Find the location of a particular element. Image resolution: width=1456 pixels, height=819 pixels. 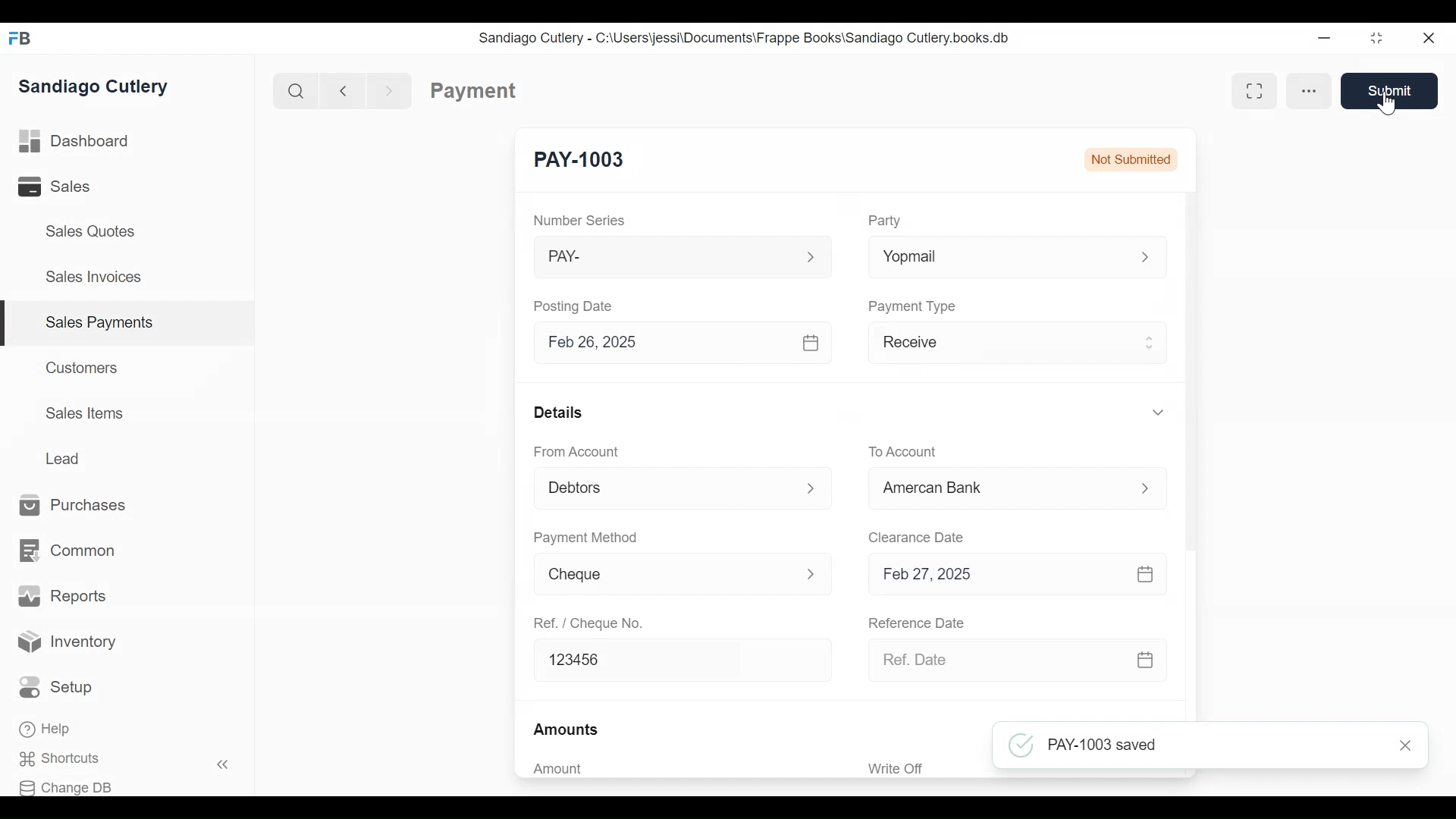

Change DB is located at coordinates (71, 786).